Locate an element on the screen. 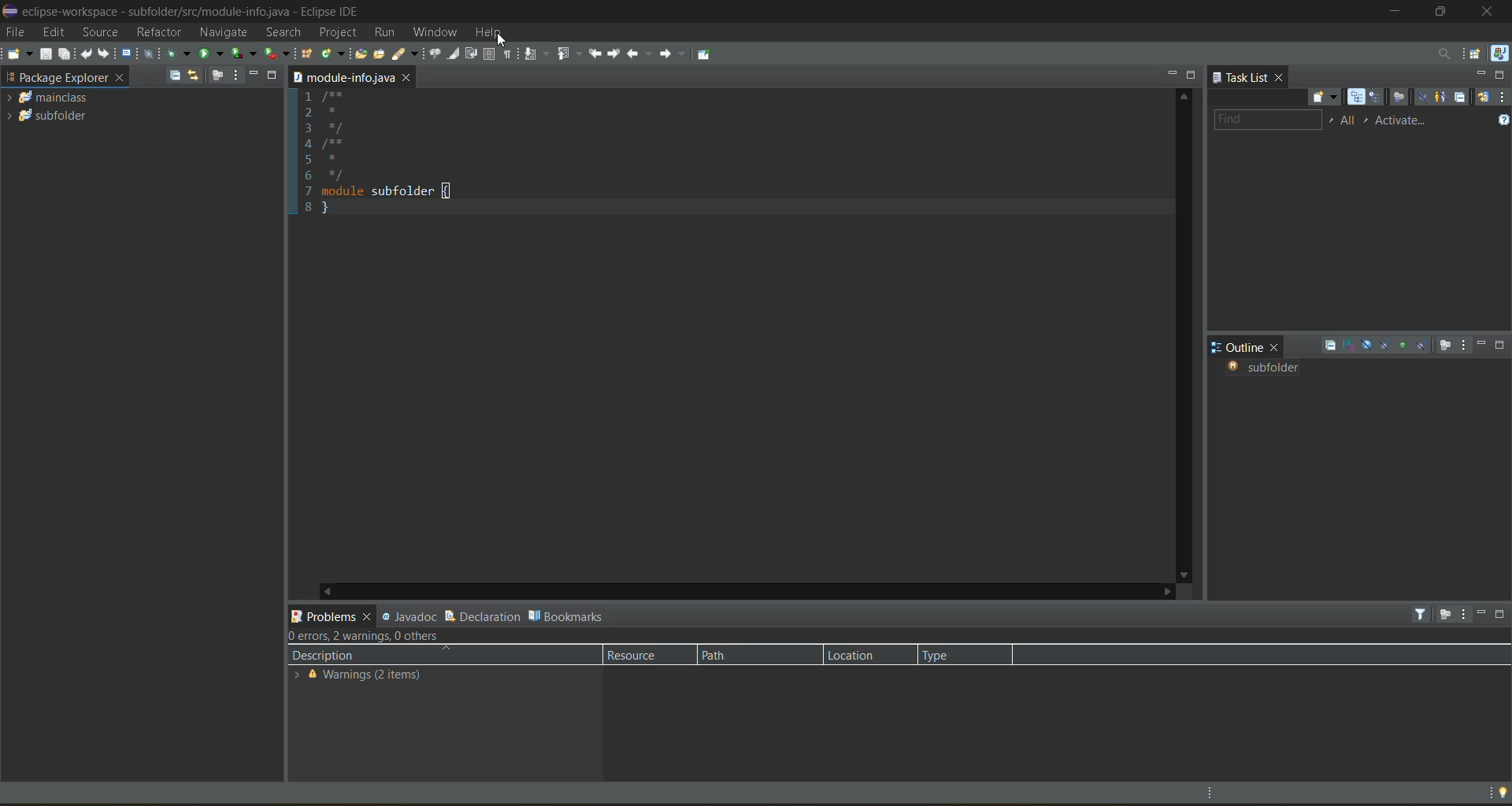  new is located at coordinates (18, 57).